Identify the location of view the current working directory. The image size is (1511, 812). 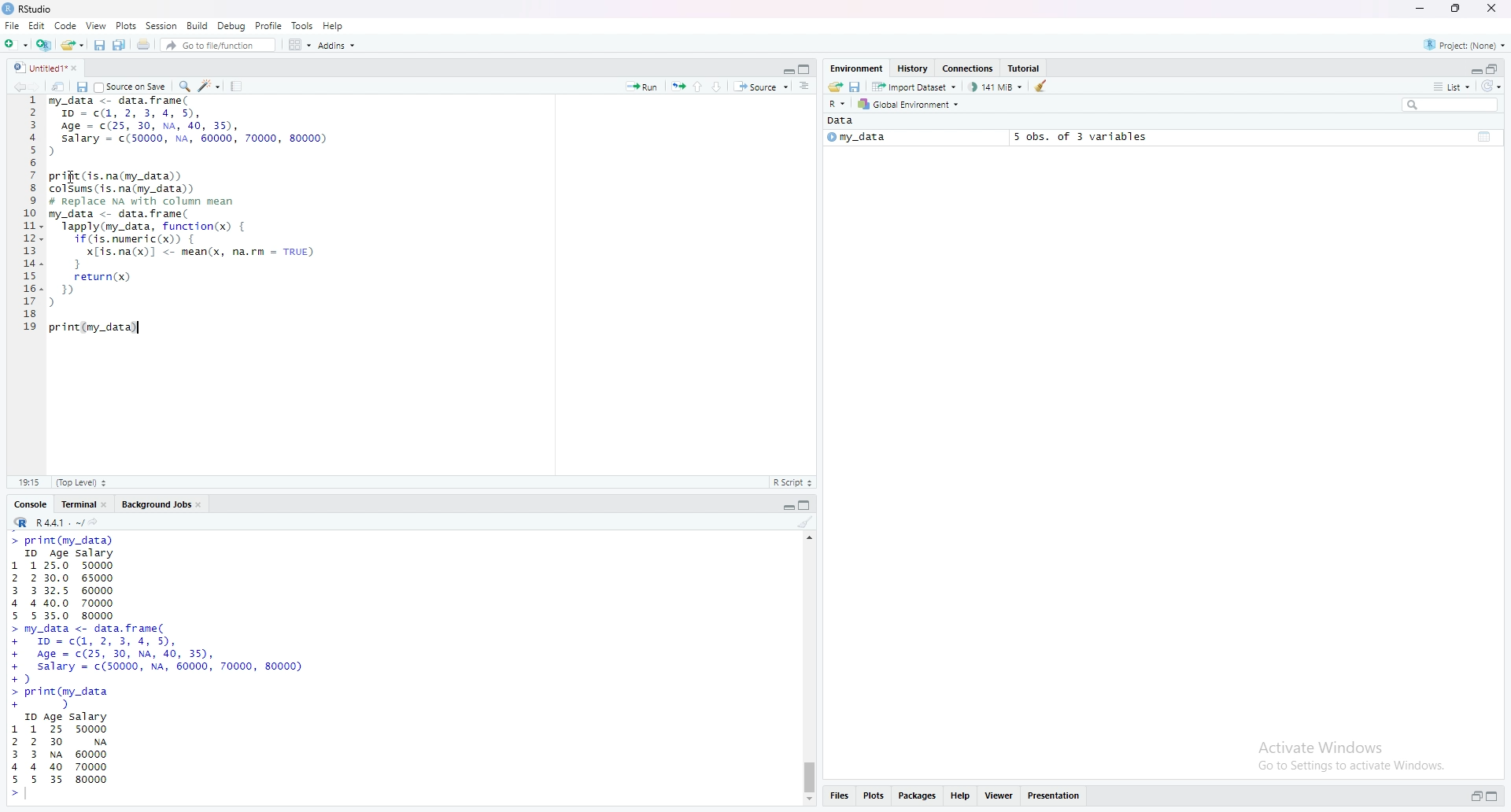
(97, 522).